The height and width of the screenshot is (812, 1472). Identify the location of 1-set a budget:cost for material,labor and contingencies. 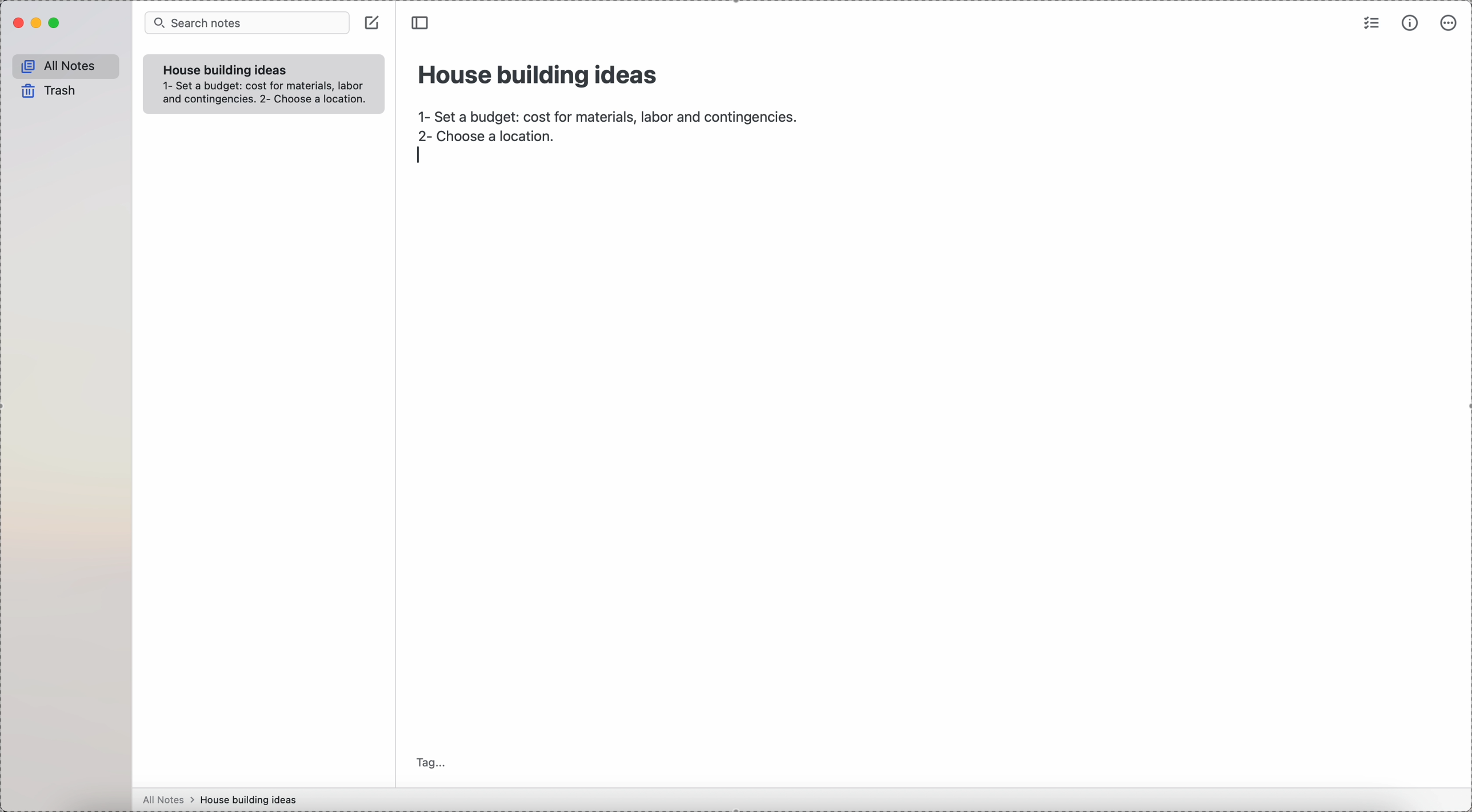
(606, 113).